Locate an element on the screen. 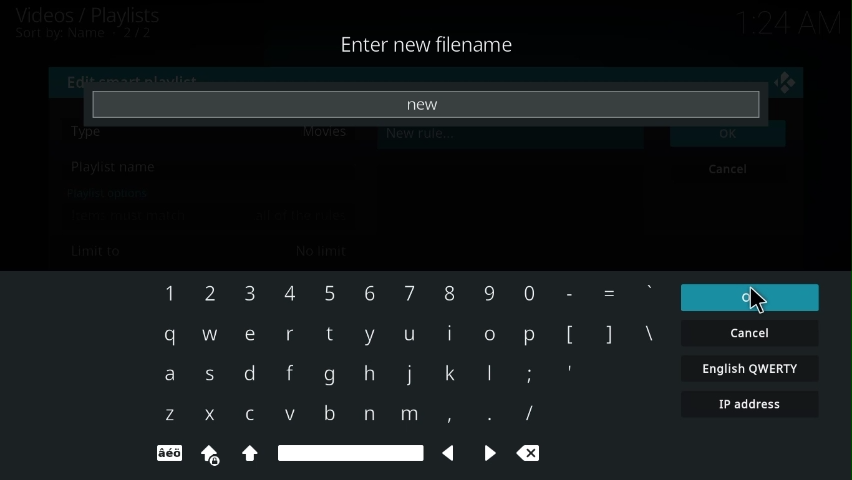  d is located at coordinates (248, 375).